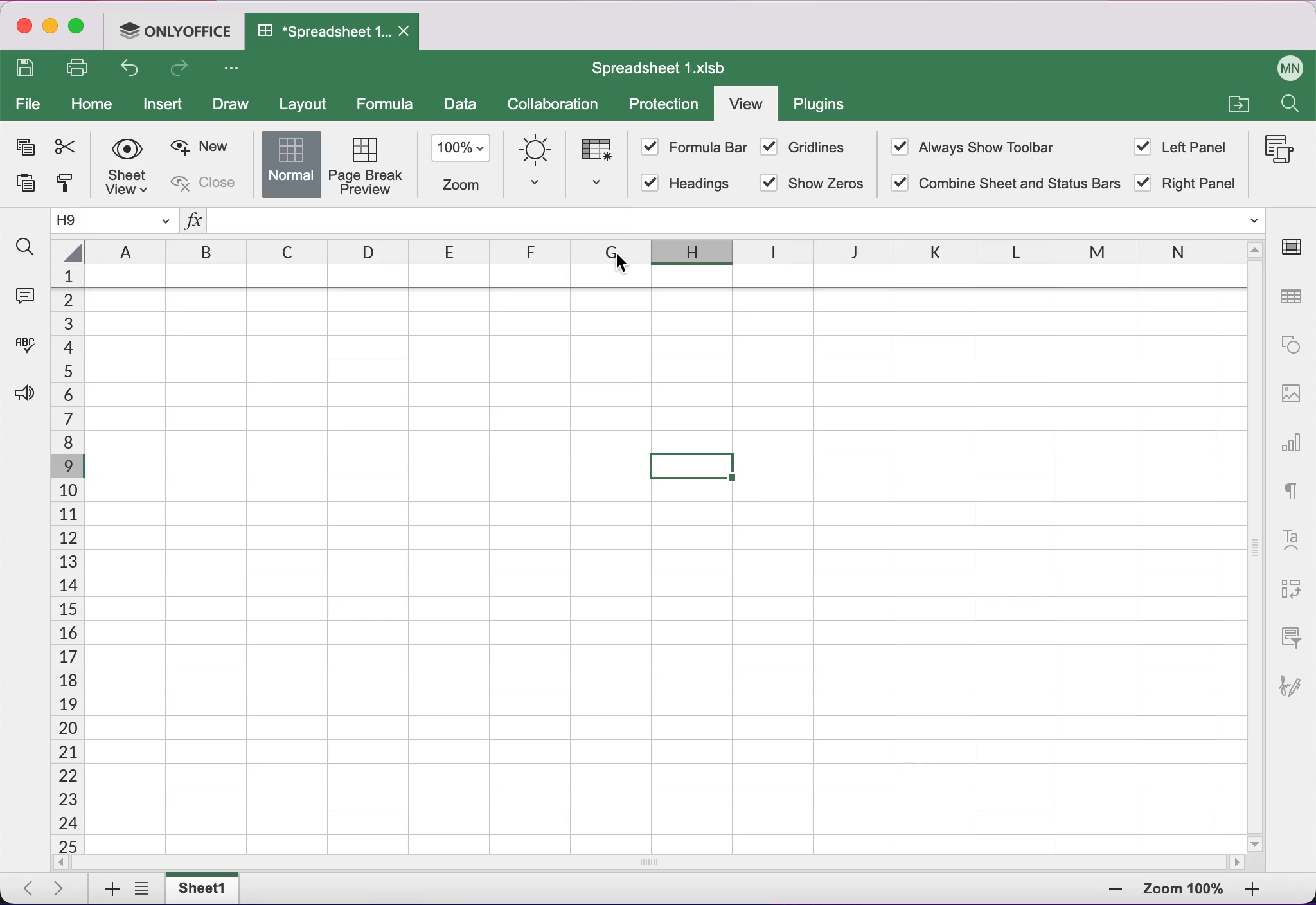 The image size is (1316, 905). What do you see at coordinates (80, 66) in the screenshot?
I see `print` at bounding box center [80, 66].